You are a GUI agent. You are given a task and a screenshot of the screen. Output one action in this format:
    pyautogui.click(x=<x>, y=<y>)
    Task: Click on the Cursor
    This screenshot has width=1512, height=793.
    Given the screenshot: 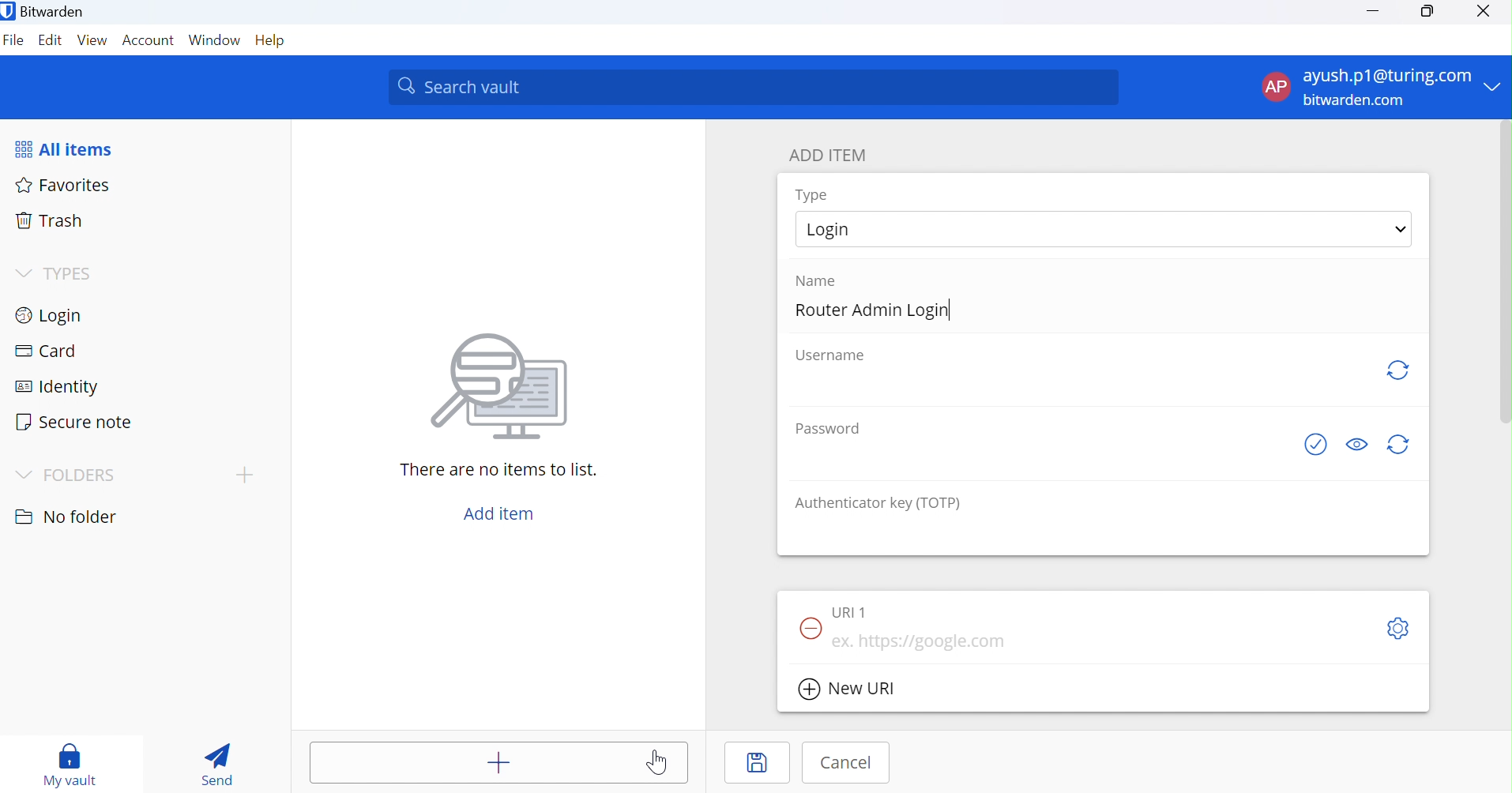 What is the action you would take?
    pyautogui.click(x=661, y=761)
    